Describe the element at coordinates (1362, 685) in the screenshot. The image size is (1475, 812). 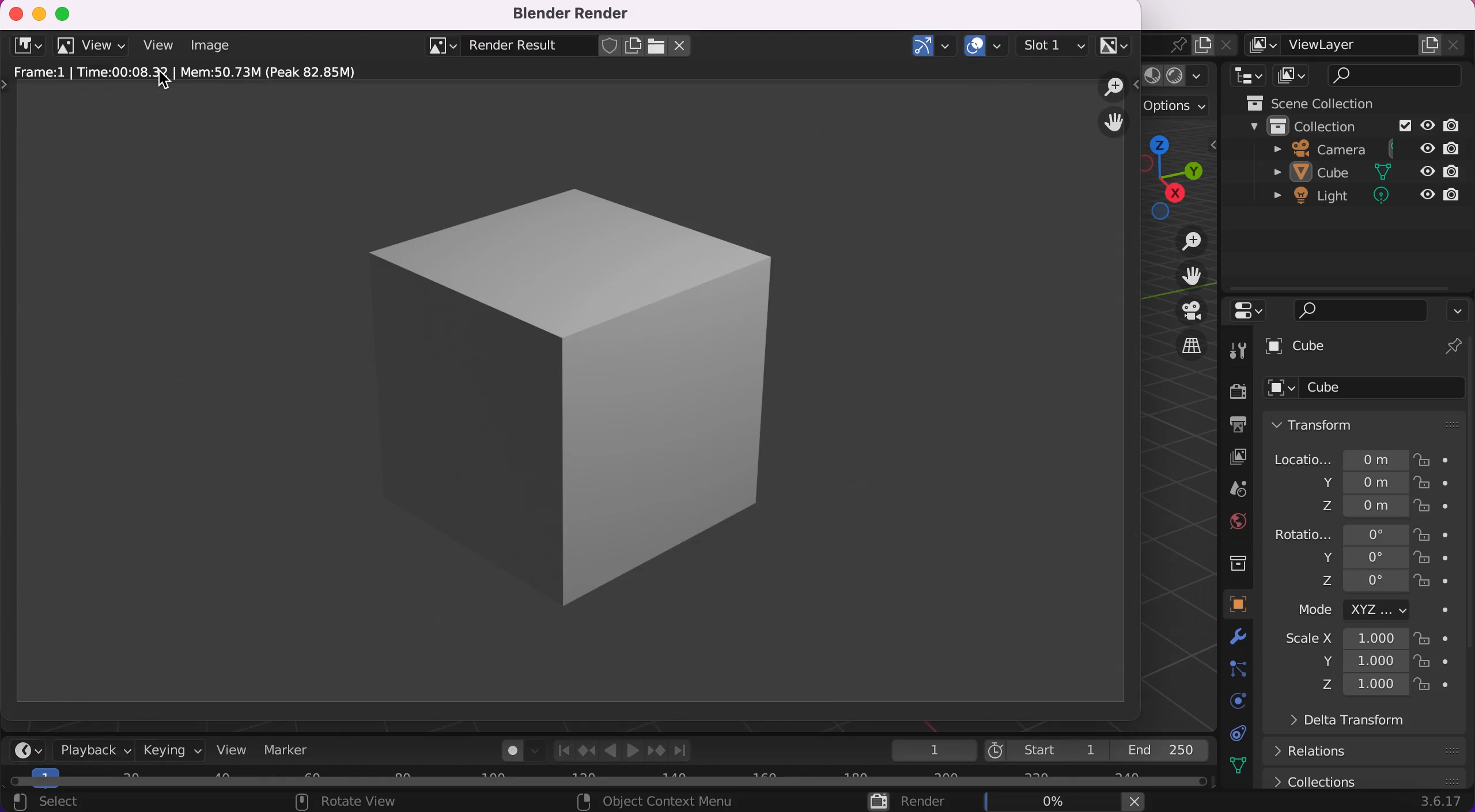
I see `z 1.000` at that location.